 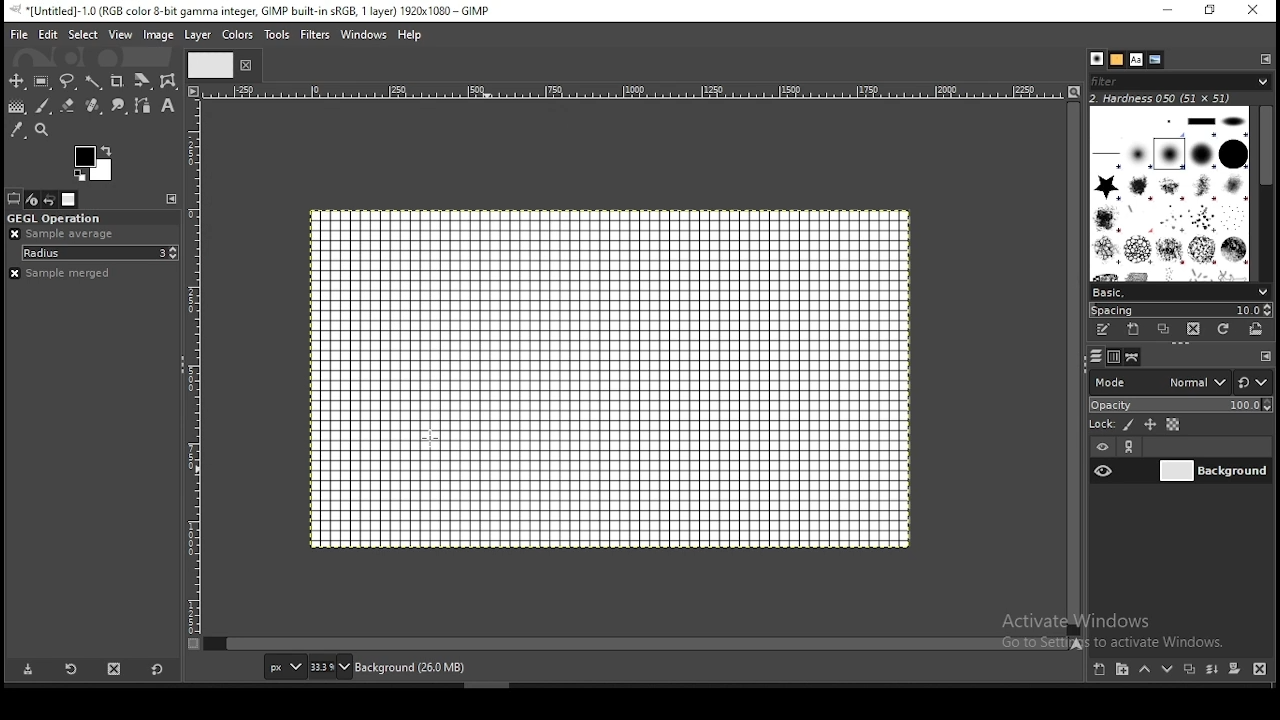 I want to click on fuzzy select tool, so click(x=94, y=83).